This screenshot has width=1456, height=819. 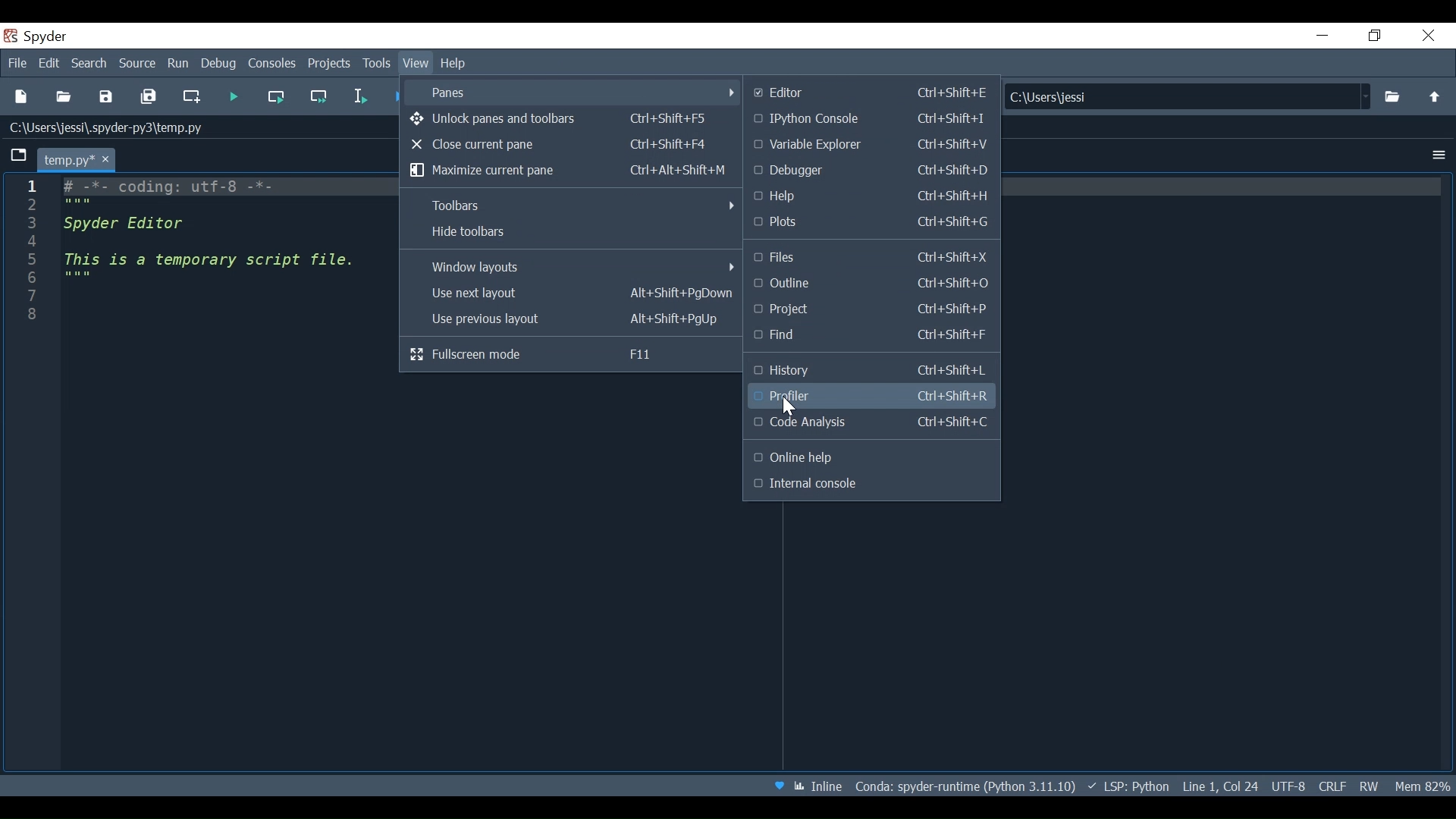 What do you see at coordinates (791, 408) in the screenshot?
I see `Cursor` at bounding box center [791, 408].